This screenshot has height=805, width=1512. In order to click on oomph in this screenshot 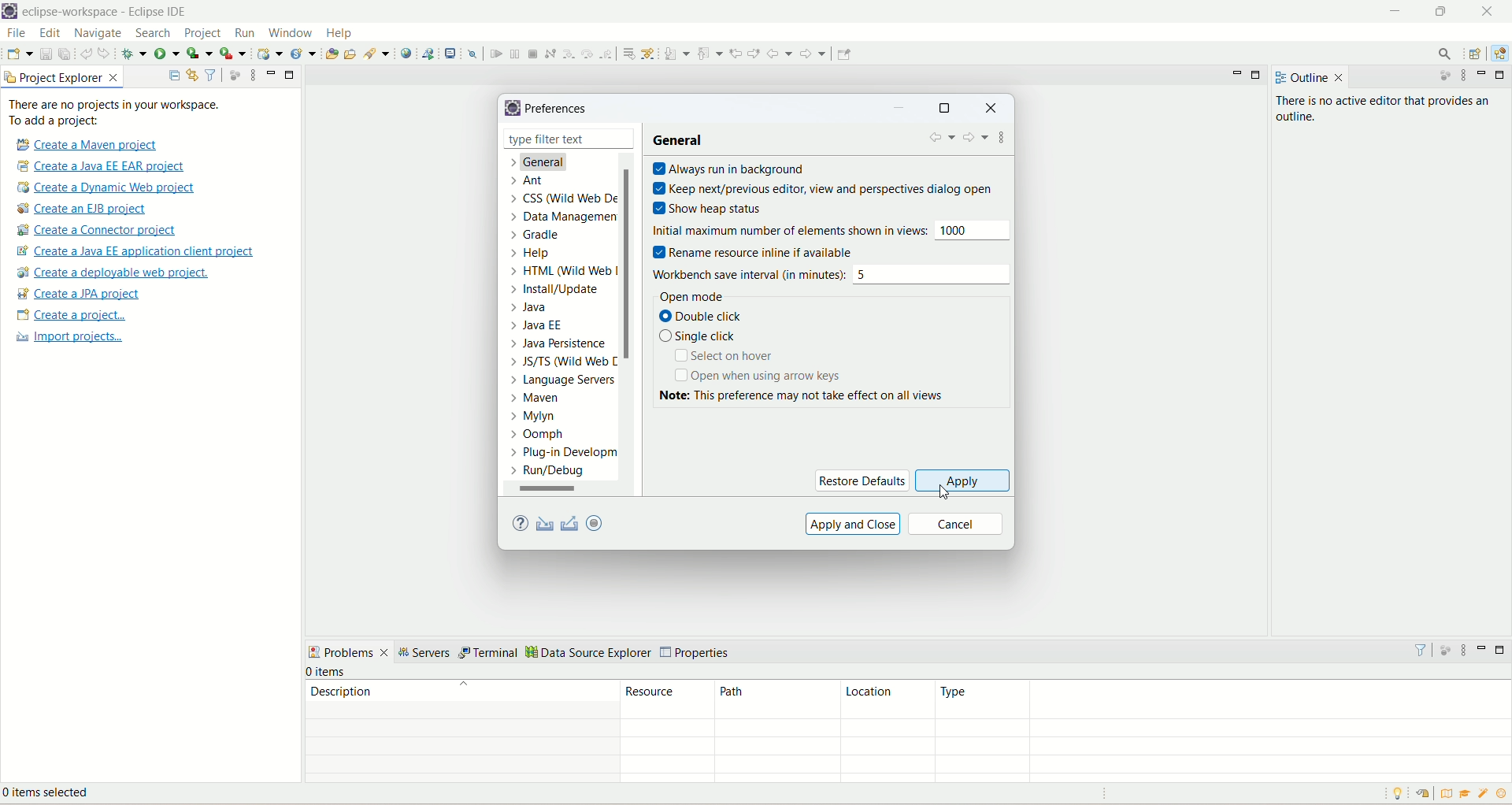, I will do `click(538, 435)`.